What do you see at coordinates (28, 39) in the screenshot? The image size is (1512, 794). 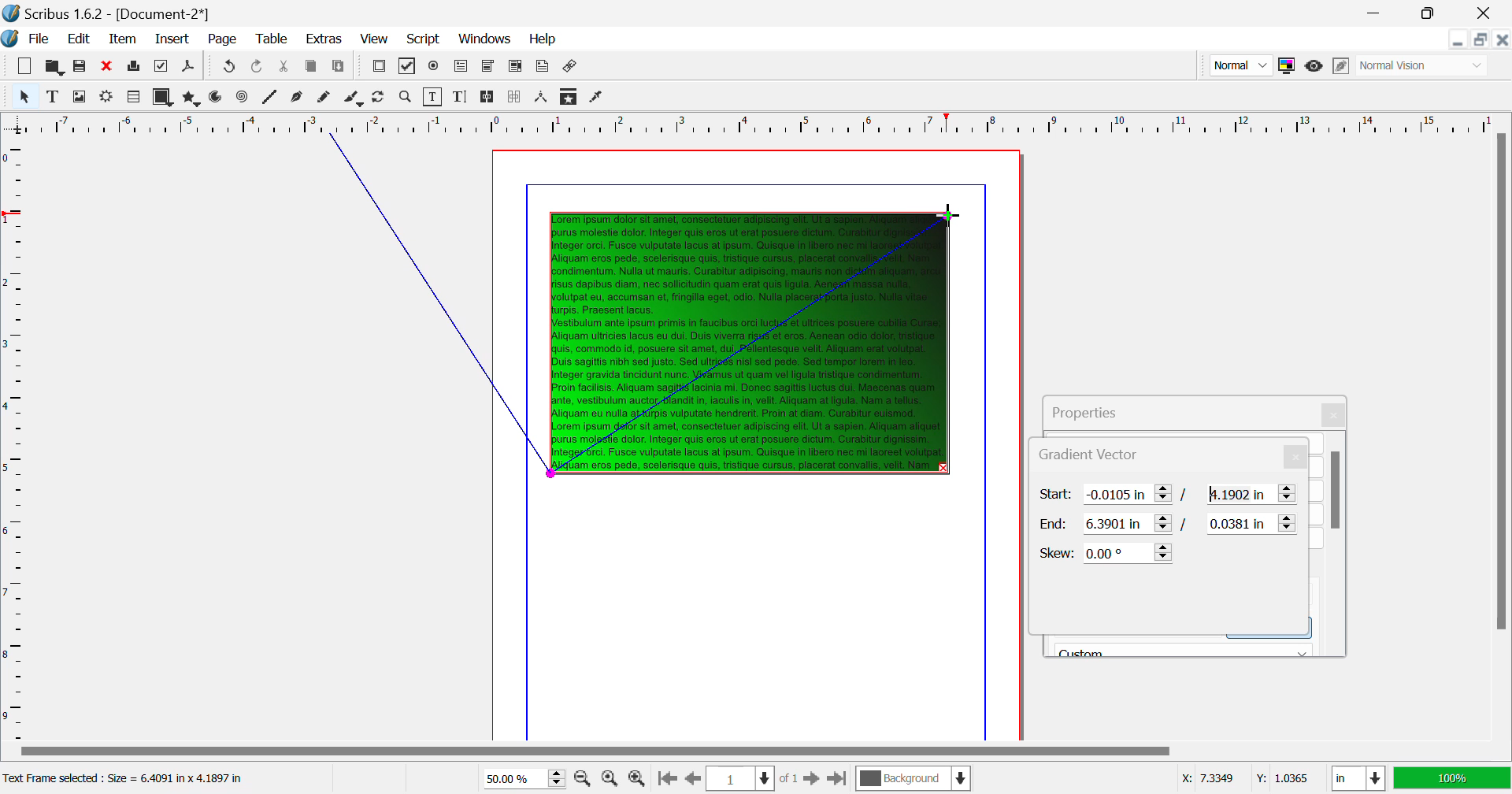 I see `File` at bounding box center [28, 39].